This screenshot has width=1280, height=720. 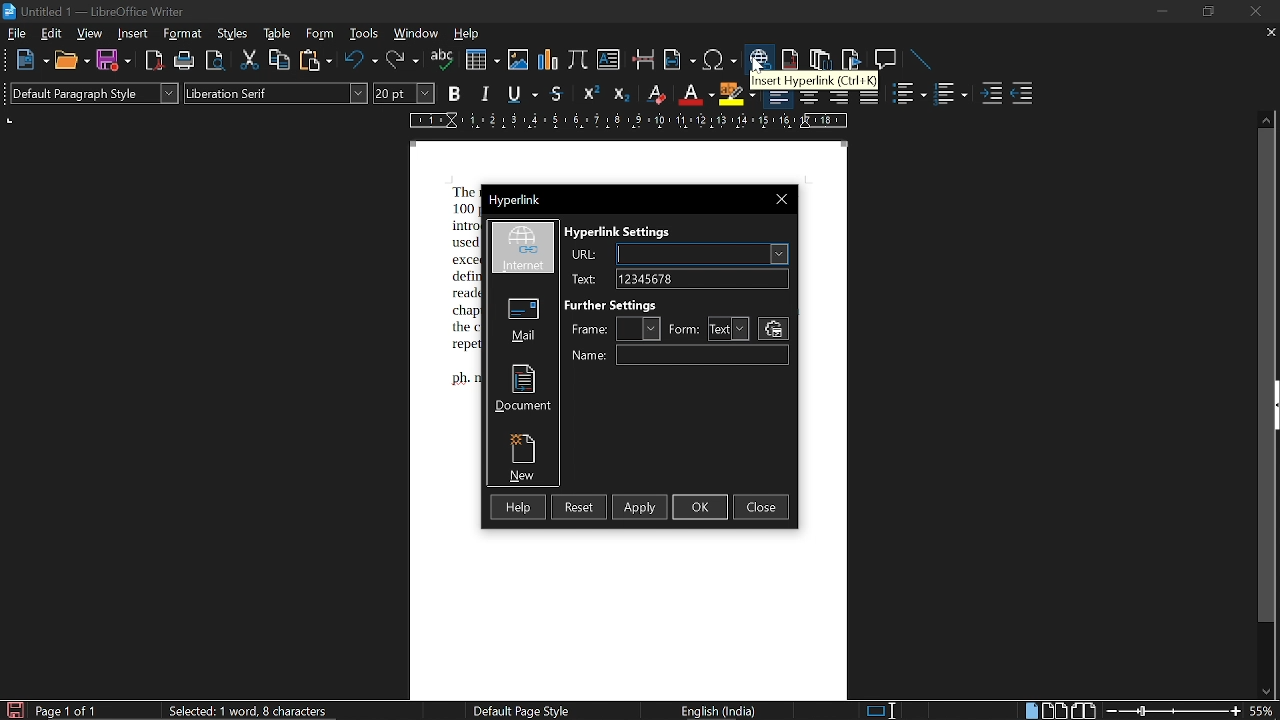 I want to click on vertical scrollbar, so click(x=1266, y=376).